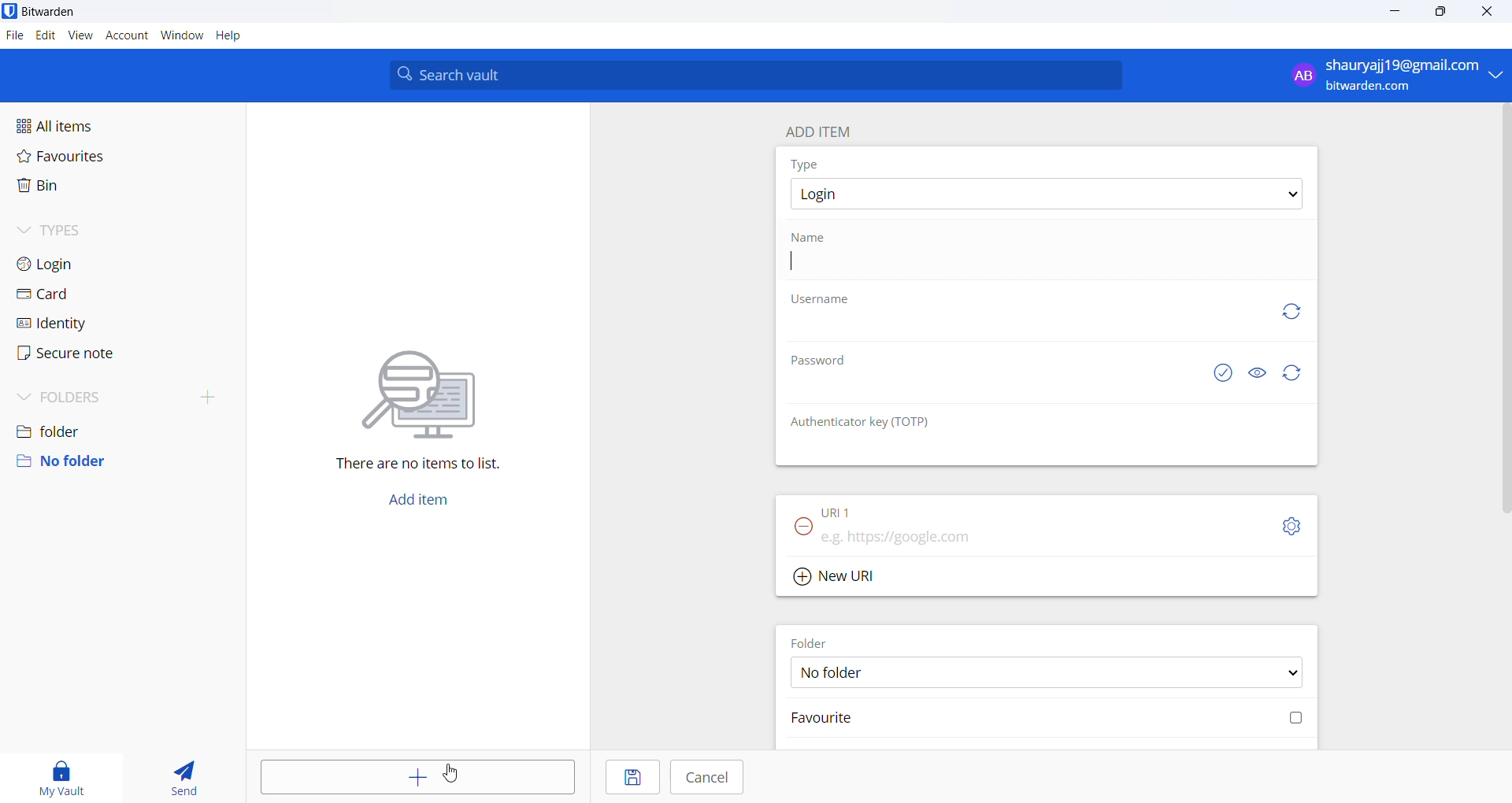 This screenshot has height=803, width=1512. Describe the element at coordinates (89, 156) in the screenshot. I see `favourites` at that location.